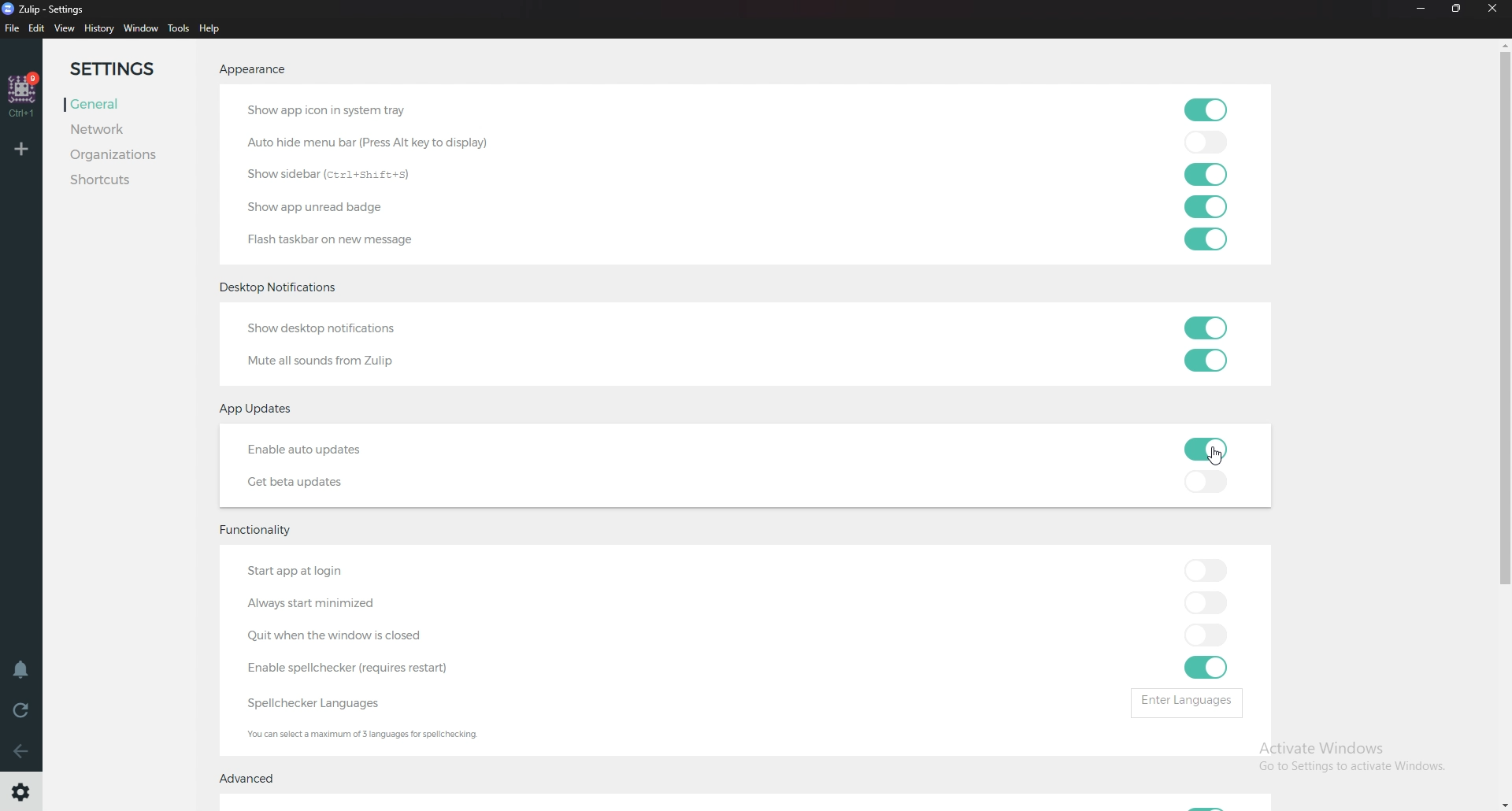  I want to click on Mute all sounds from Zulip, so click(322, 361).